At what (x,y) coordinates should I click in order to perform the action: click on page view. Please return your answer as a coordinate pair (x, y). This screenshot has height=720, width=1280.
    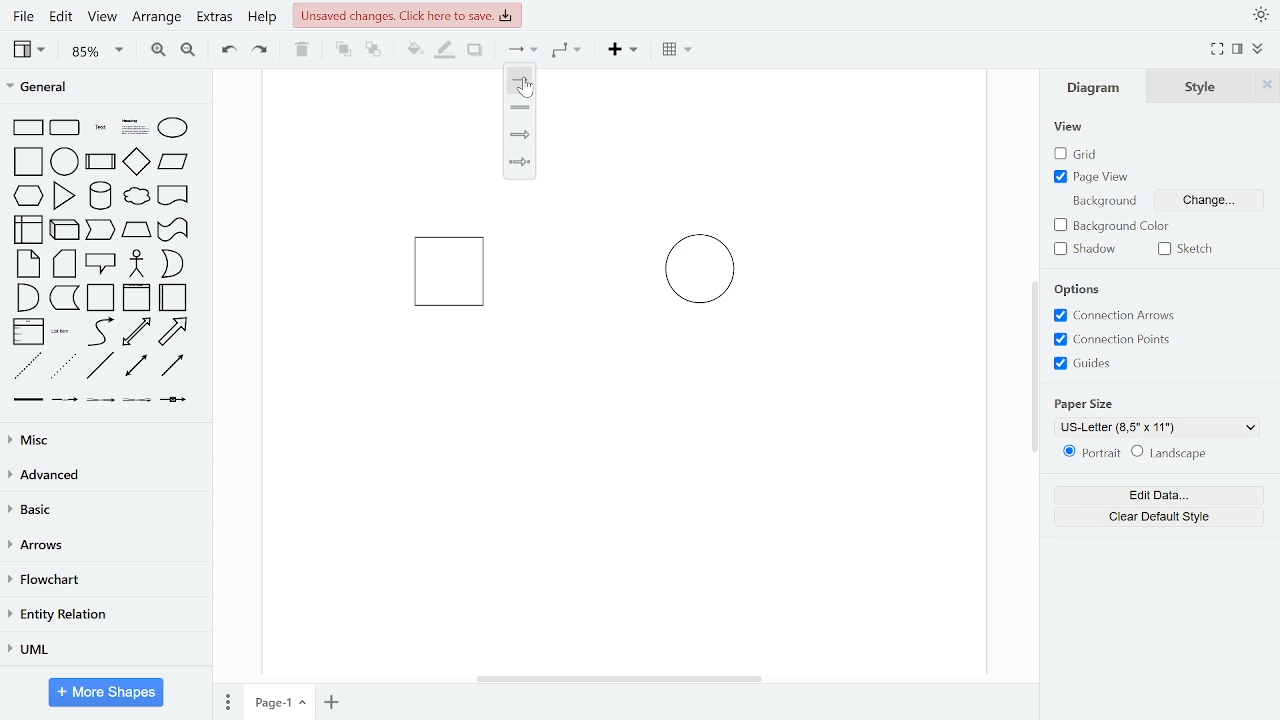
    Looking at the image, I should click on (1094, 176).